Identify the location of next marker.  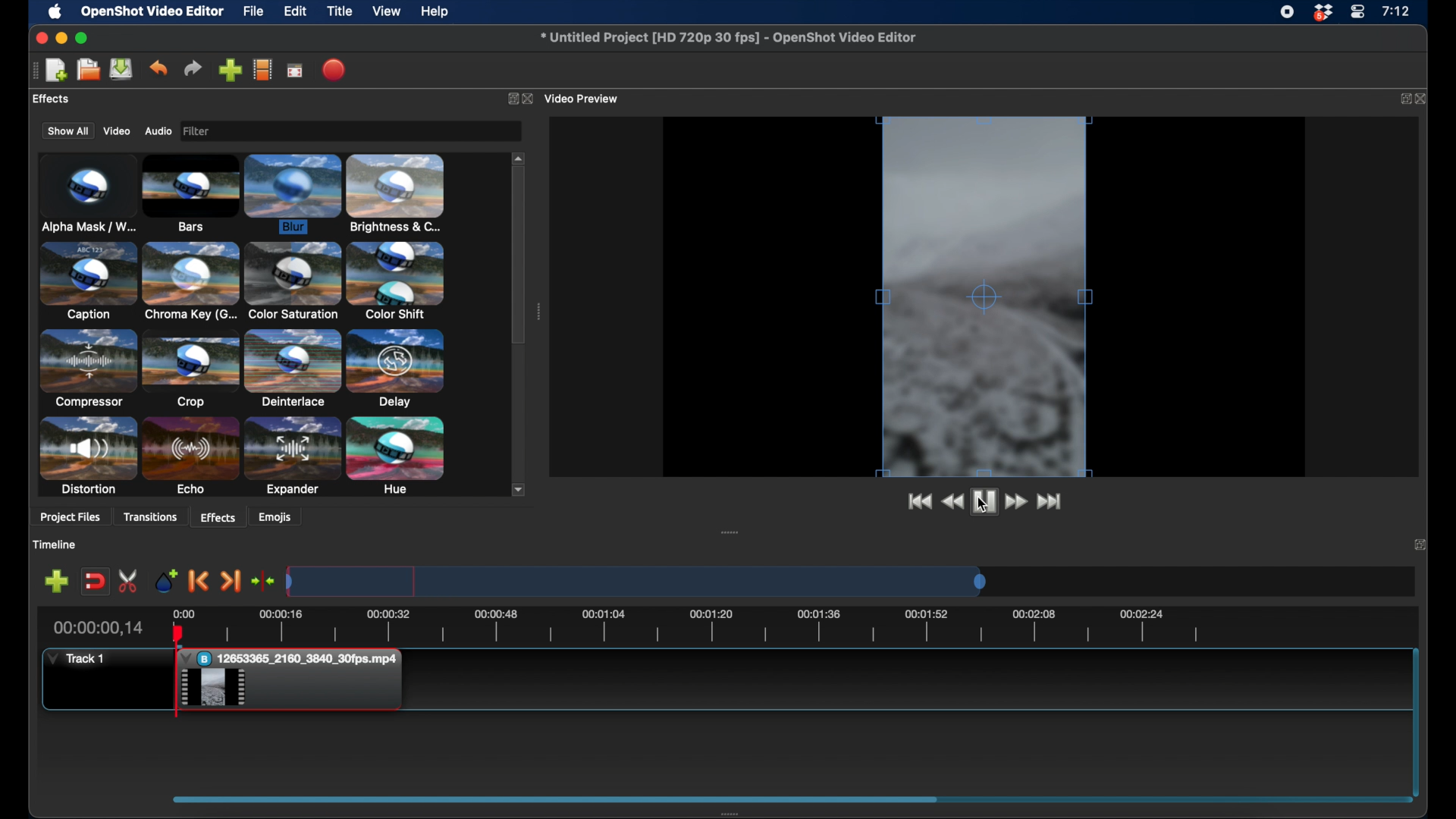
(232, 582).